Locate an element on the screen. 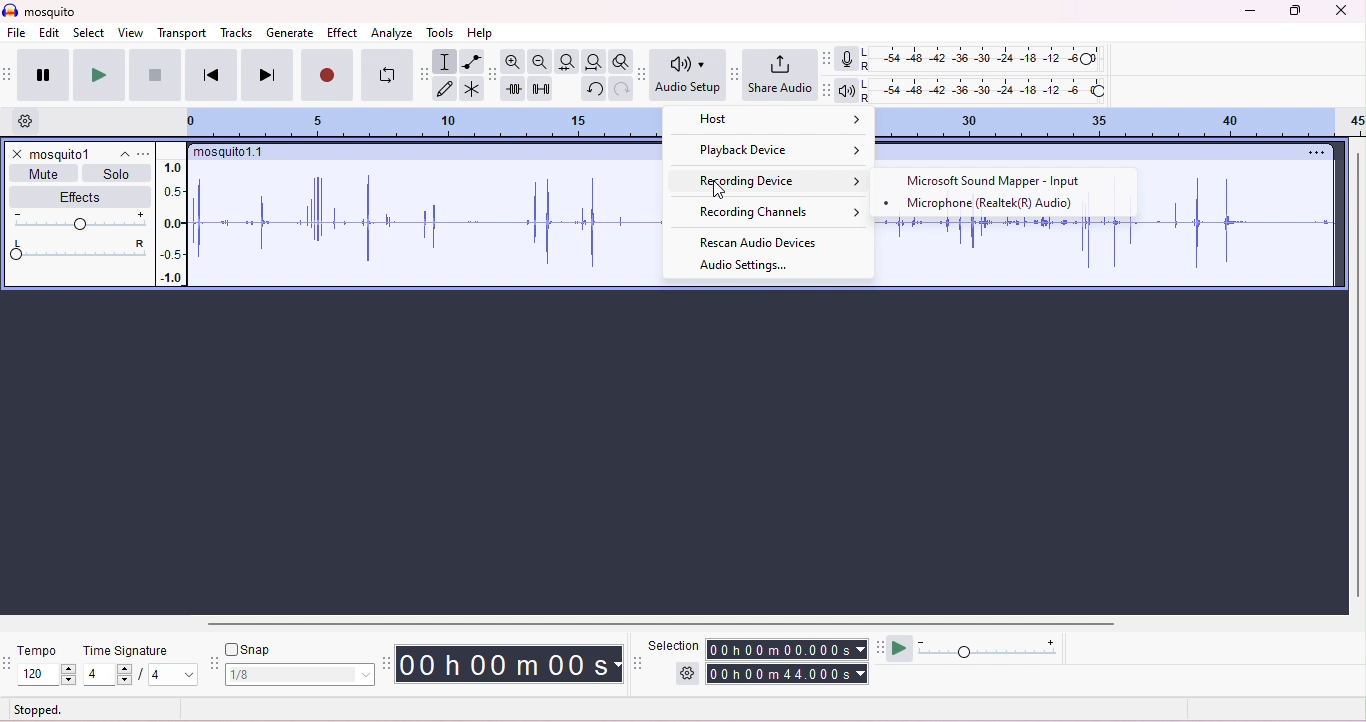 The image size is (1366, 722). audio set up tool bar is located at coordinates (644, 74).